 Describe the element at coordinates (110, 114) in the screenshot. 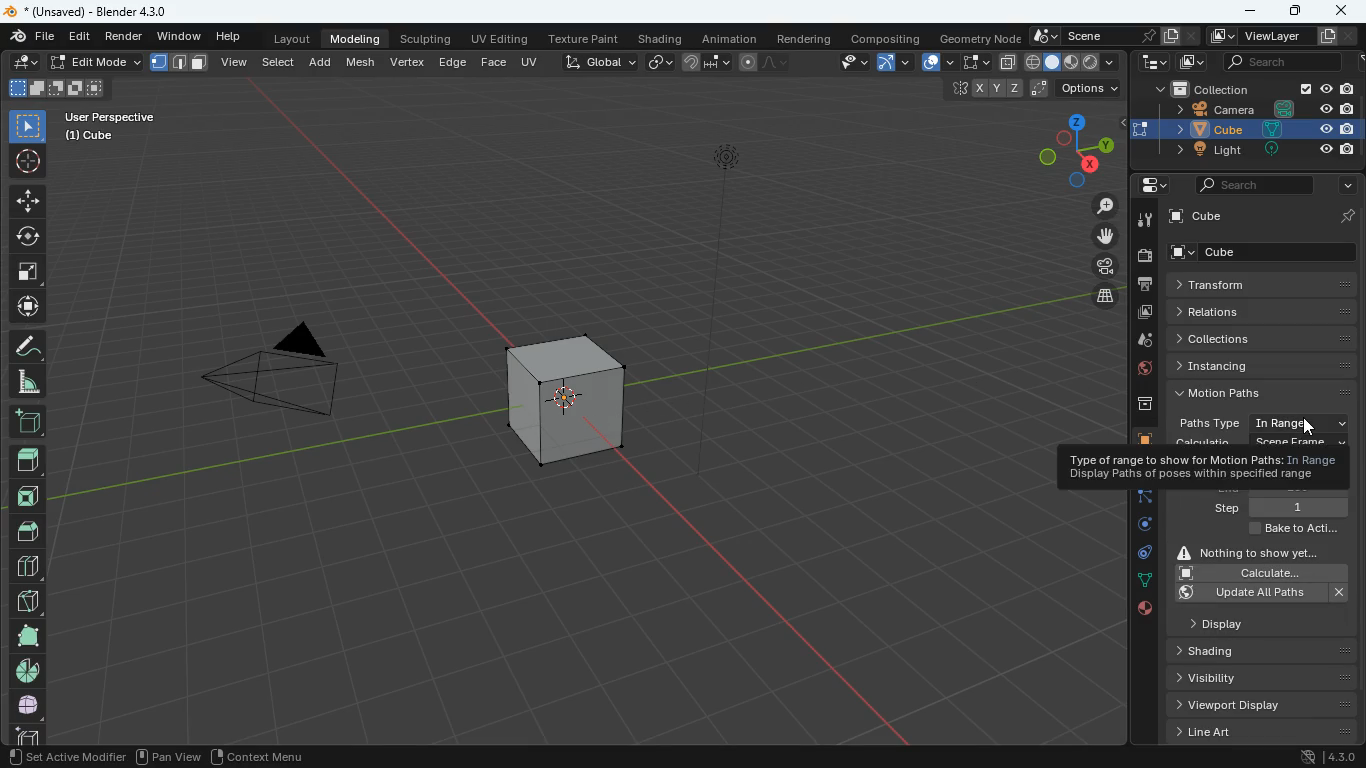

I see `User Perspective` at that location.